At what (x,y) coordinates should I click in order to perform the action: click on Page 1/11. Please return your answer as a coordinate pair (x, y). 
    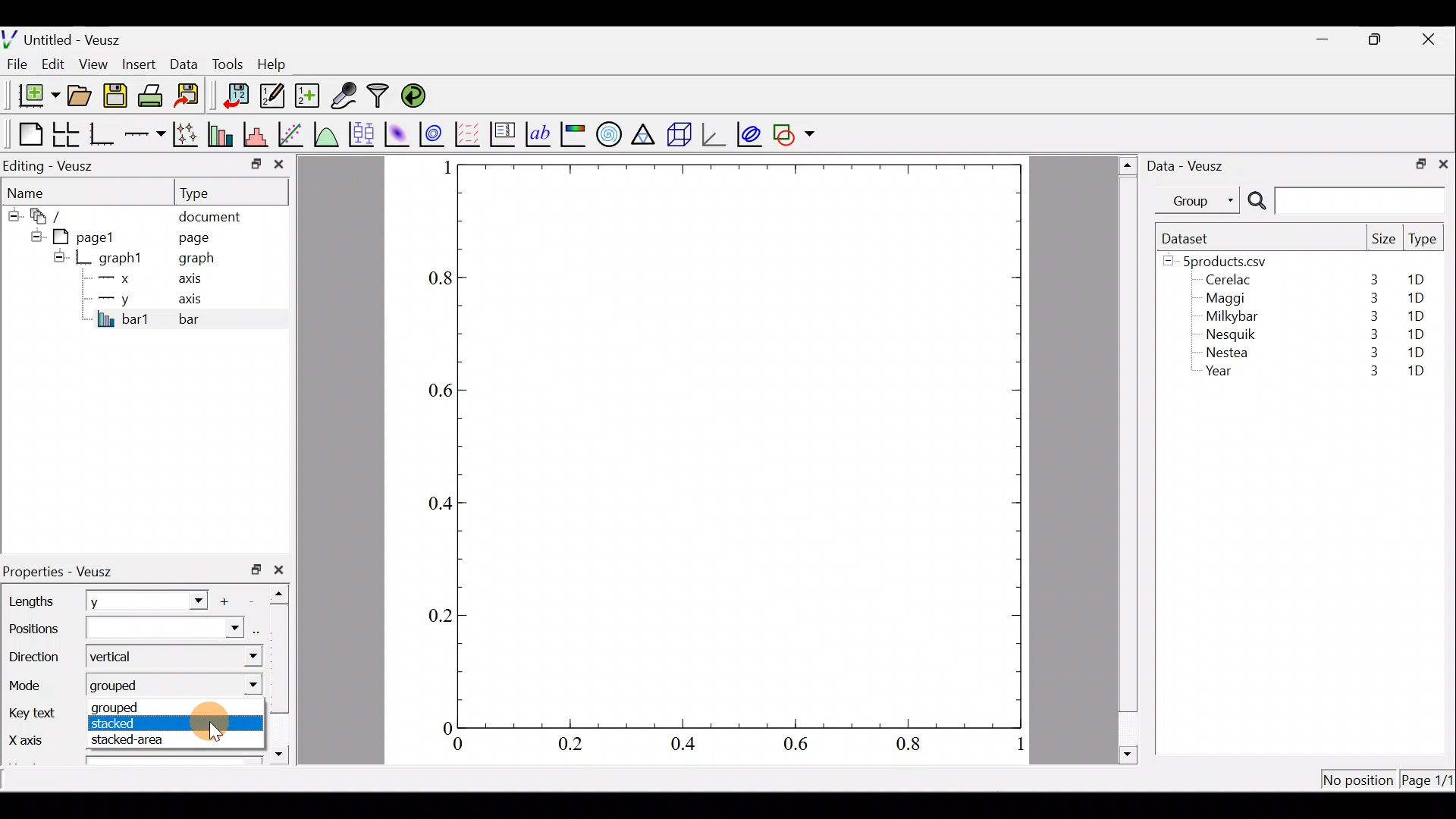
    Looking at the image, I should click on (1429, 783).